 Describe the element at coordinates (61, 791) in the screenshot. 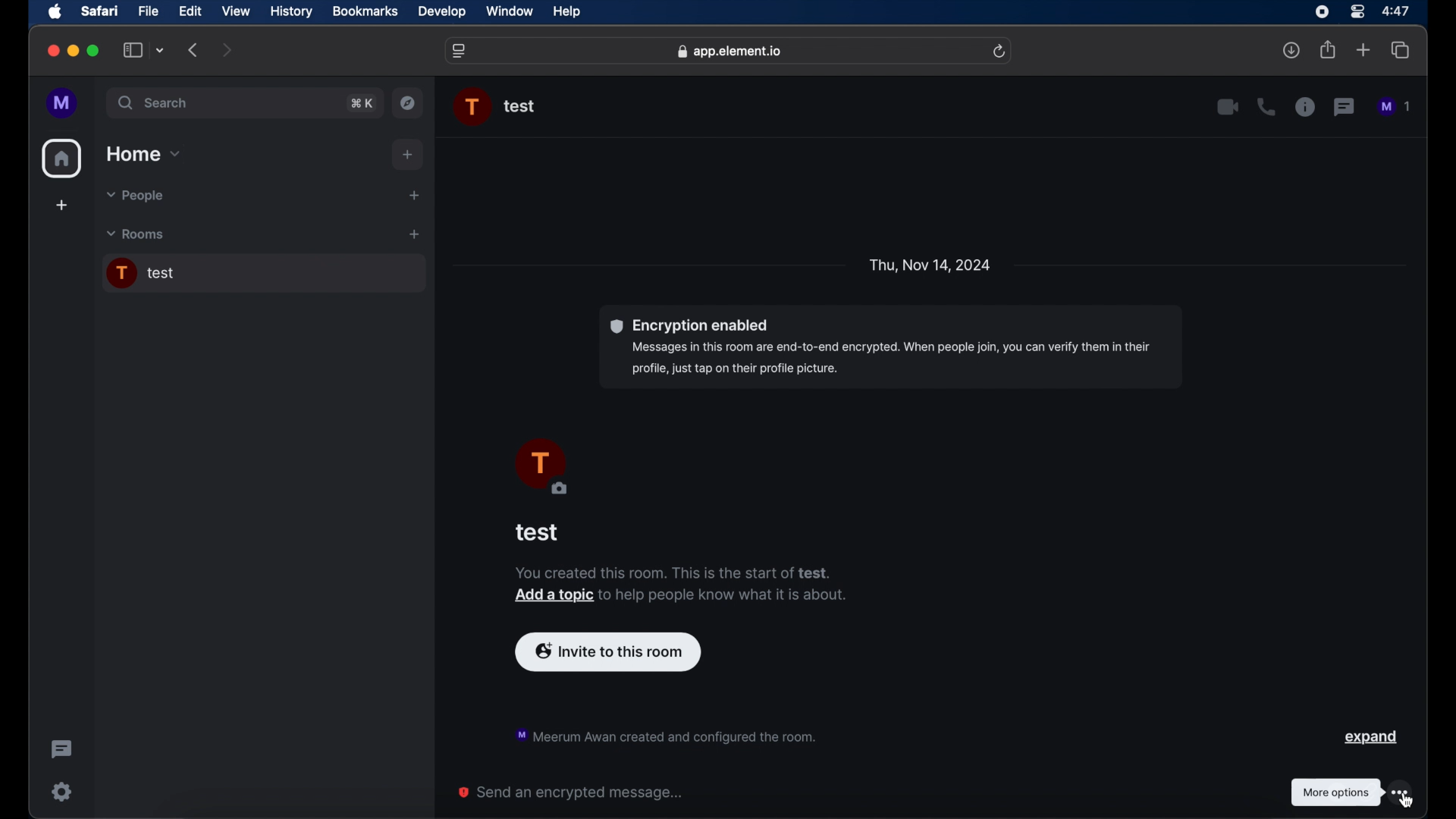

I see `settings` at that location.